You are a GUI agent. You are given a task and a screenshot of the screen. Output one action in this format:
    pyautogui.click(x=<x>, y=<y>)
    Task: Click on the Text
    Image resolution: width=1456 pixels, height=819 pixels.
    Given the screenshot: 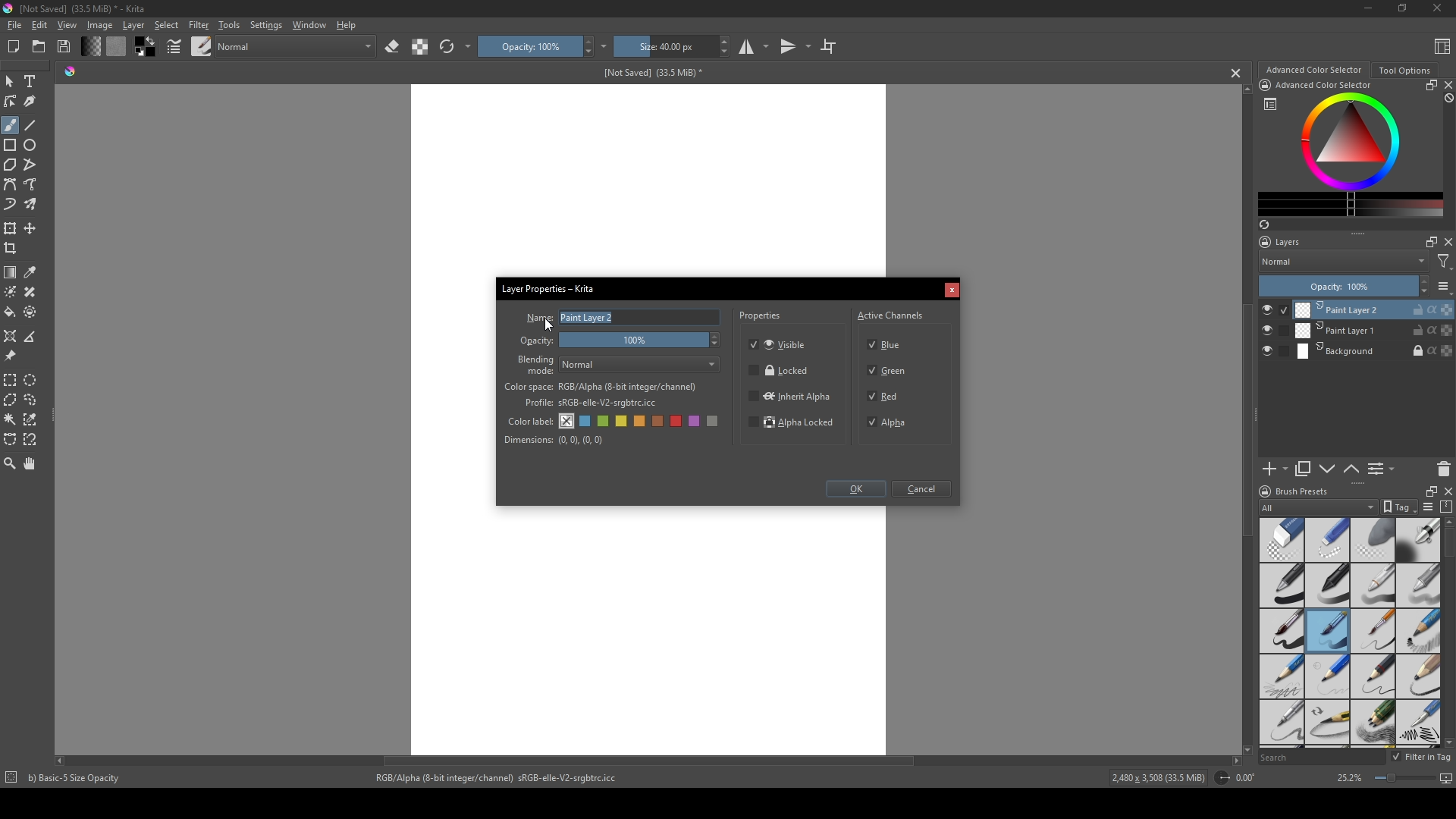 What is the action you would take?
    pyautogui.click(x=33, y=83)
    